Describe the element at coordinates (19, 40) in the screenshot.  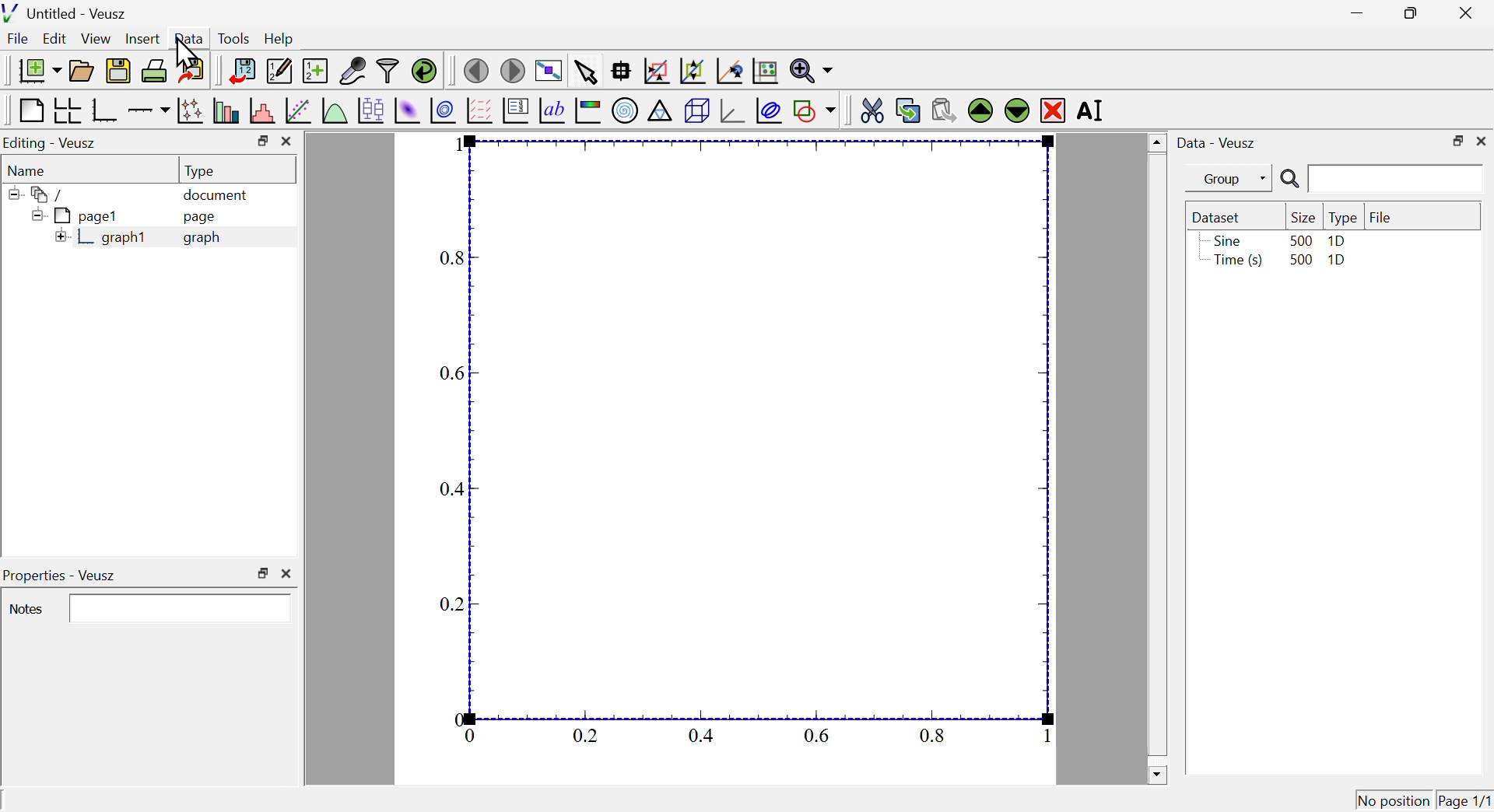
I see `file` at that location.